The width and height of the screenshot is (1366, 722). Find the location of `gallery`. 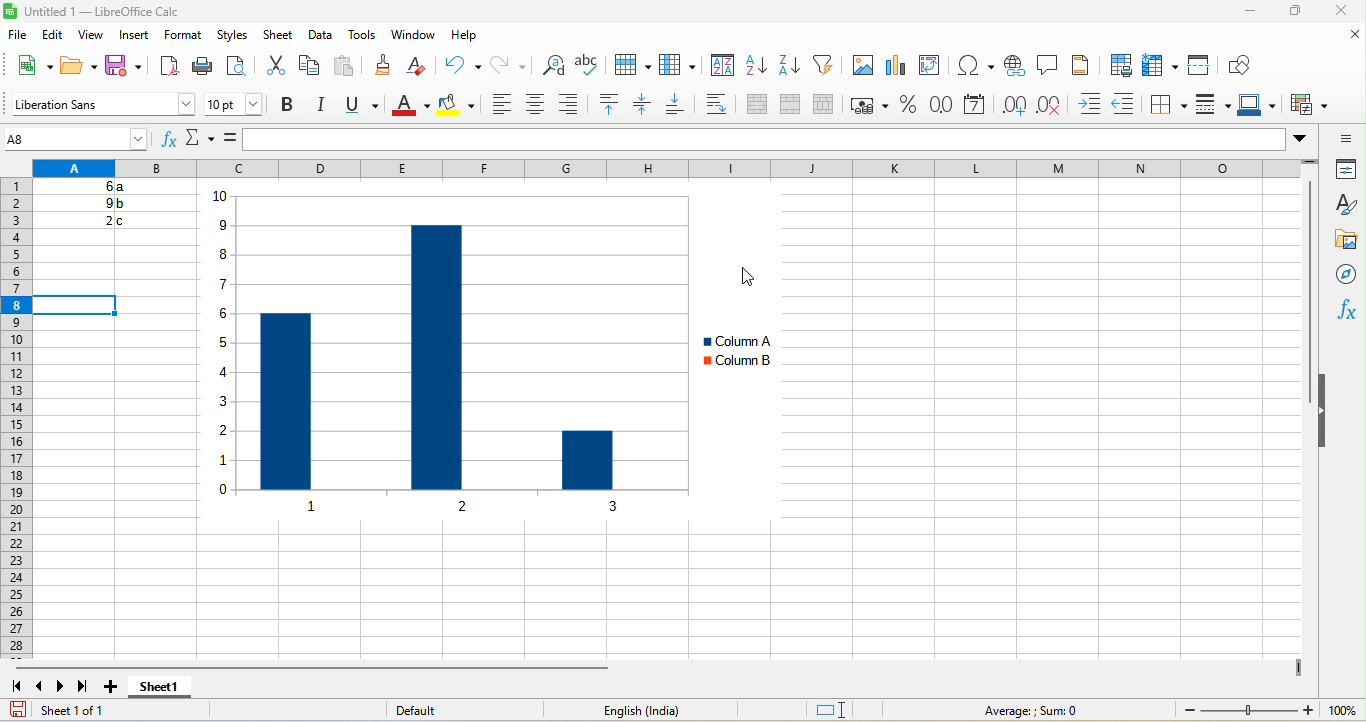

gallery is located at coordinates (1343, 241).